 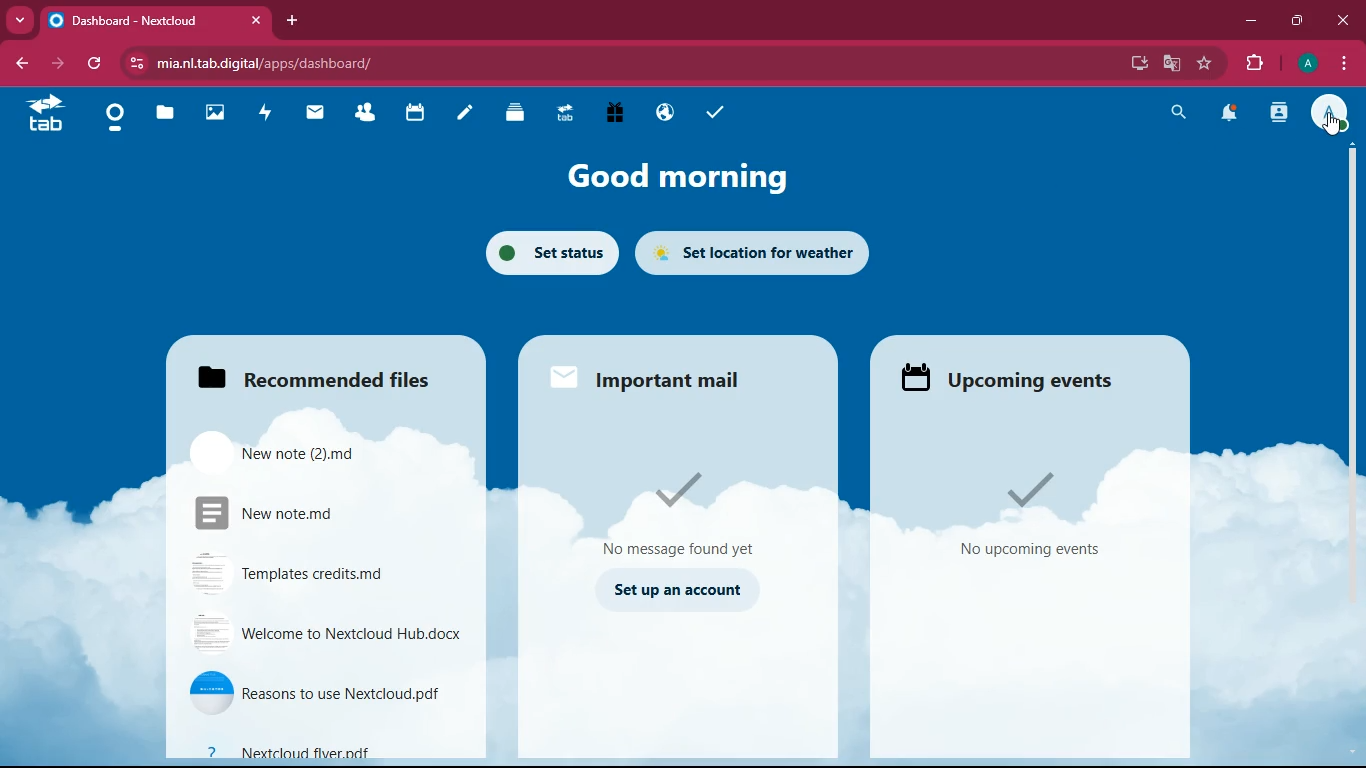 I want to click on tab, so click(x=43, y=117).